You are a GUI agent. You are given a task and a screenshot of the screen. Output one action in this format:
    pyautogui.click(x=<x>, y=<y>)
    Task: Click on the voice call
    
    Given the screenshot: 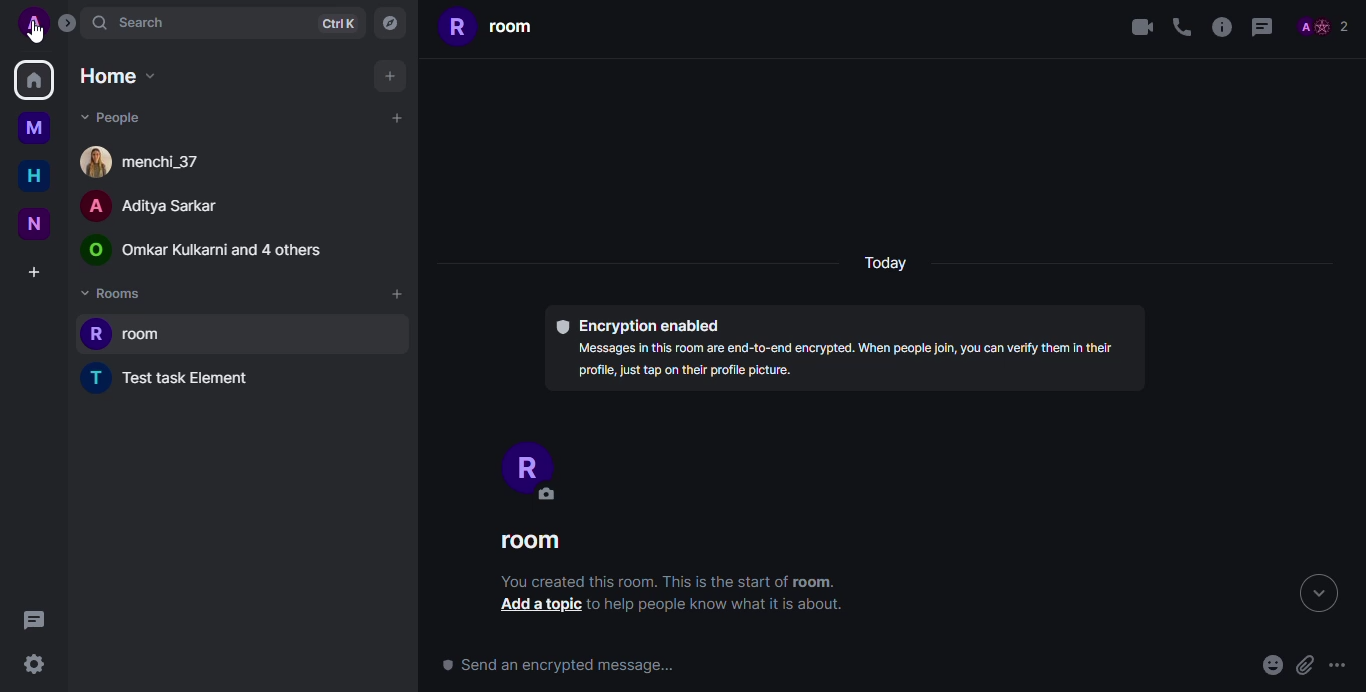 What is the action you would take?
    pyautogui.click(x=1182, y=26)
    